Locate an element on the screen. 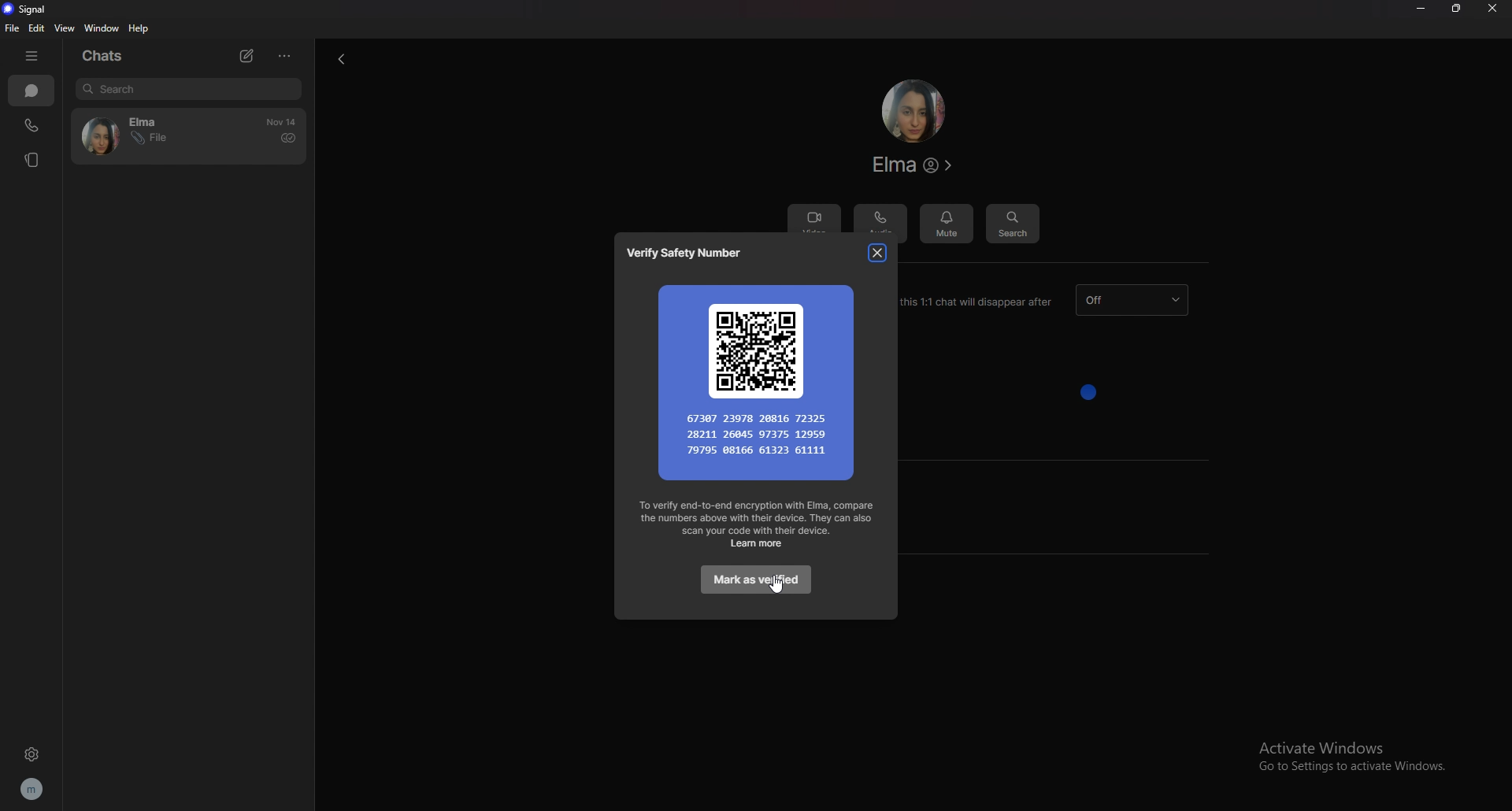 Image resolution: width=1512 pixels, height=811 pixels. file is located at coordinates (11, 28).